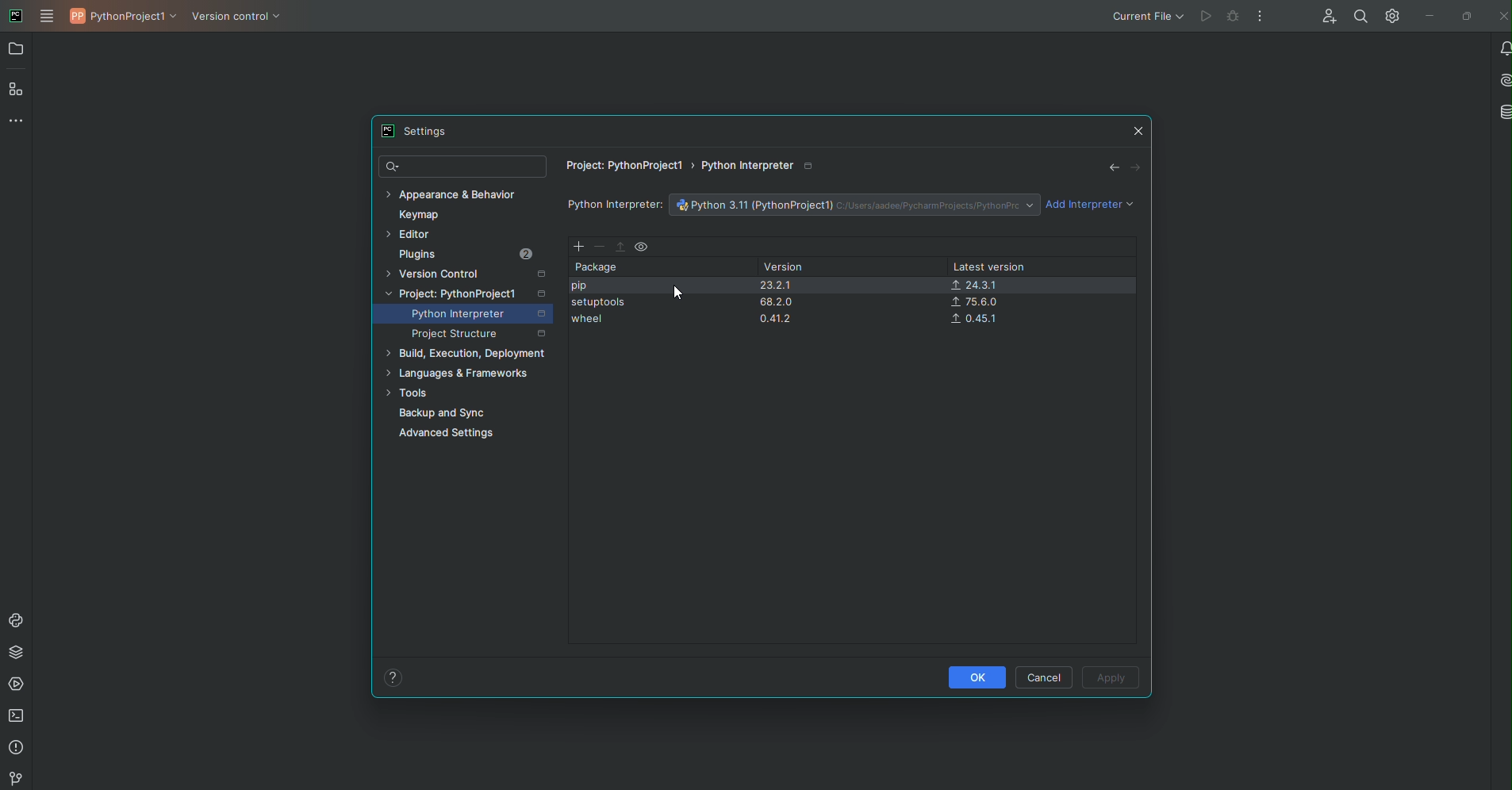  Describe the element at coordinates (427, 213) in the screenshot. I see `Keymap` at that location.